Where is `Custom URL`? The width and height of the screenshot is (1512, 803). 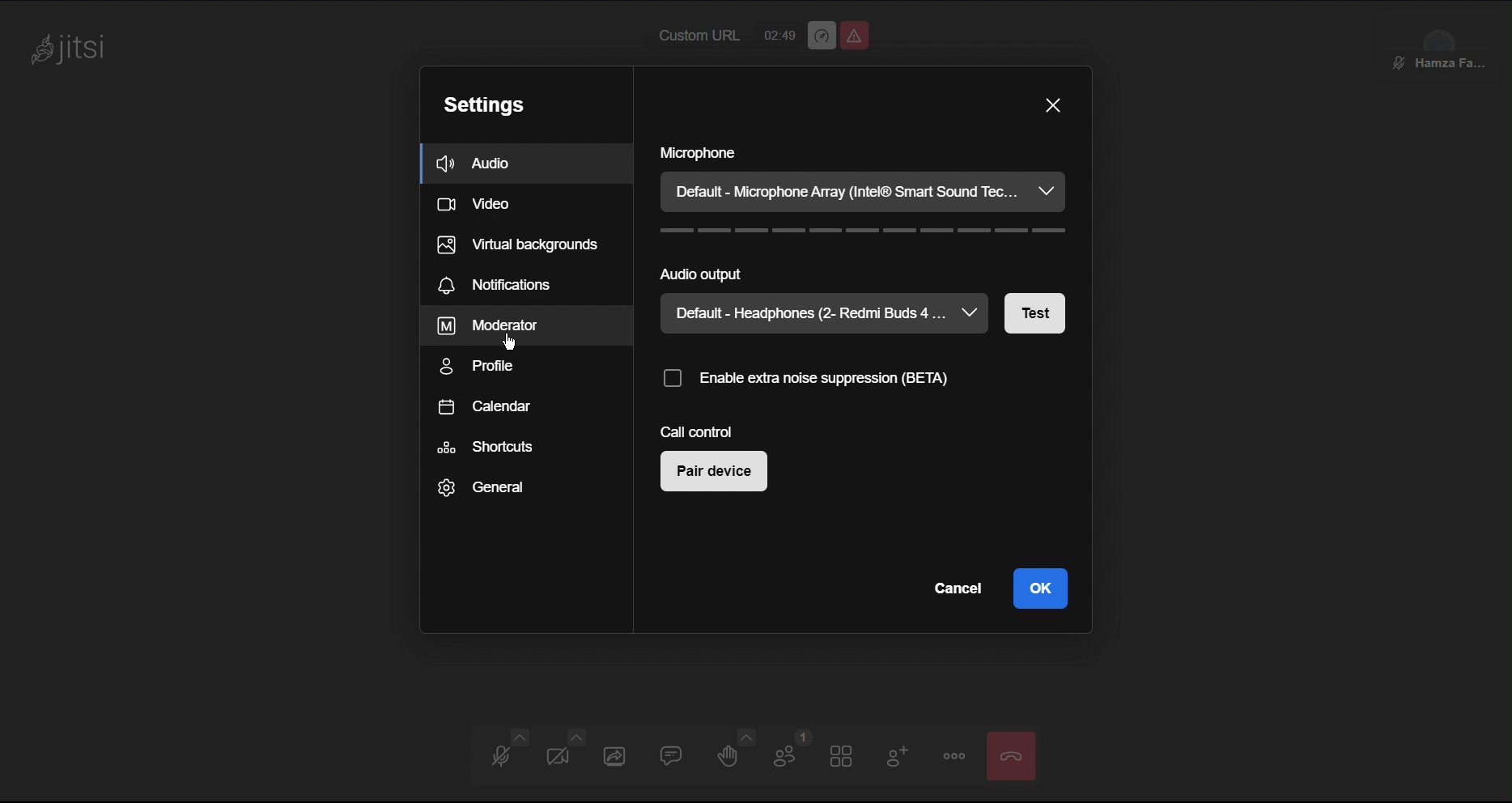
Custom URL is located at coordinates (696, 36).